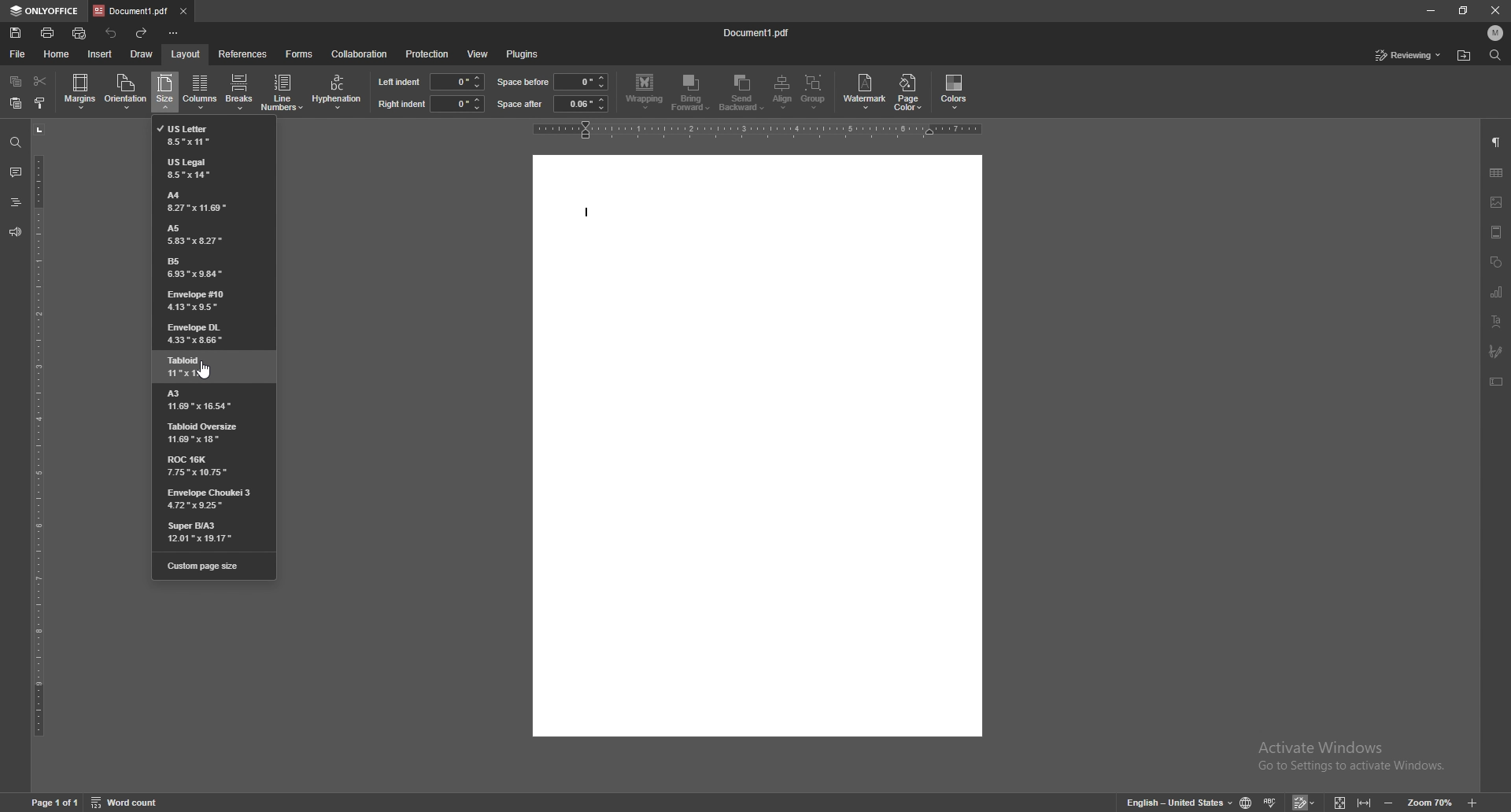 The width and height of the screenshot is (1511, 812). What do you see at coordinates (209, 401) in the screenshot?
I see `a3` at bounding box center [209, 401].